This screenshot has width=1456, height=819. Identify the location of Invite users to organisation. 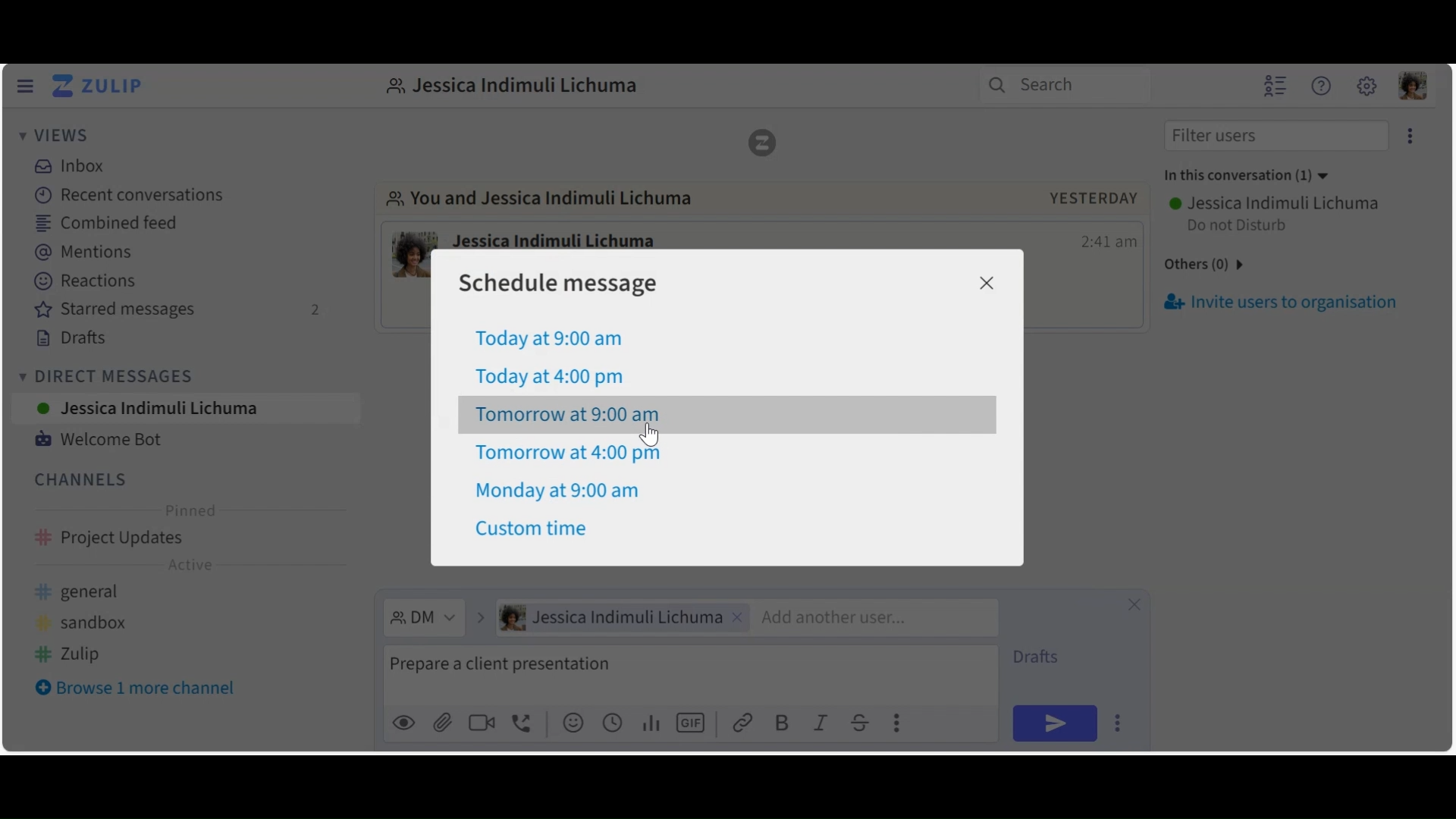
(1285, 299).